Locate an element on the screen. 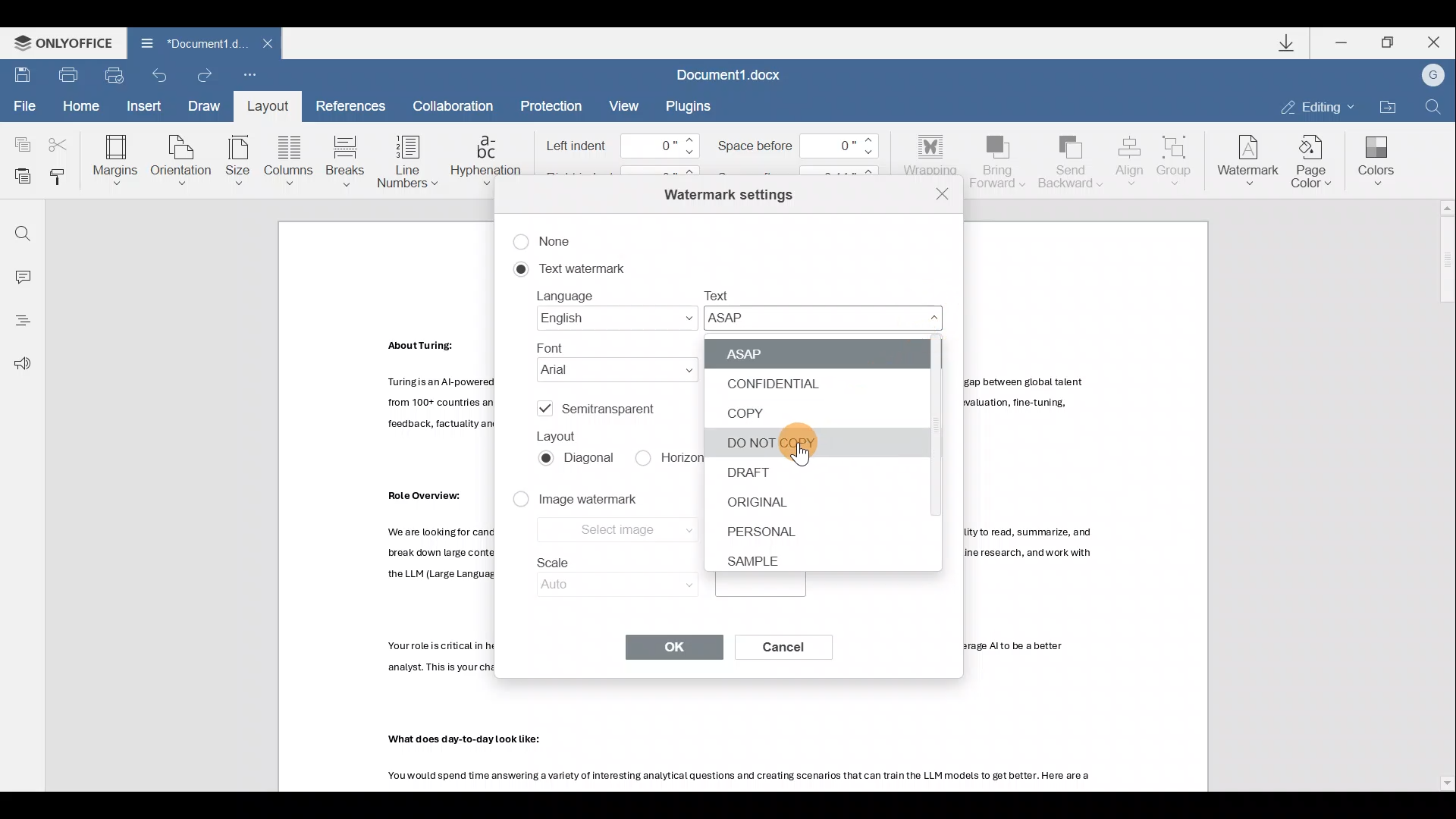 The image size is (1456, 819). pointer cursor is located at coordinates (799, 456).